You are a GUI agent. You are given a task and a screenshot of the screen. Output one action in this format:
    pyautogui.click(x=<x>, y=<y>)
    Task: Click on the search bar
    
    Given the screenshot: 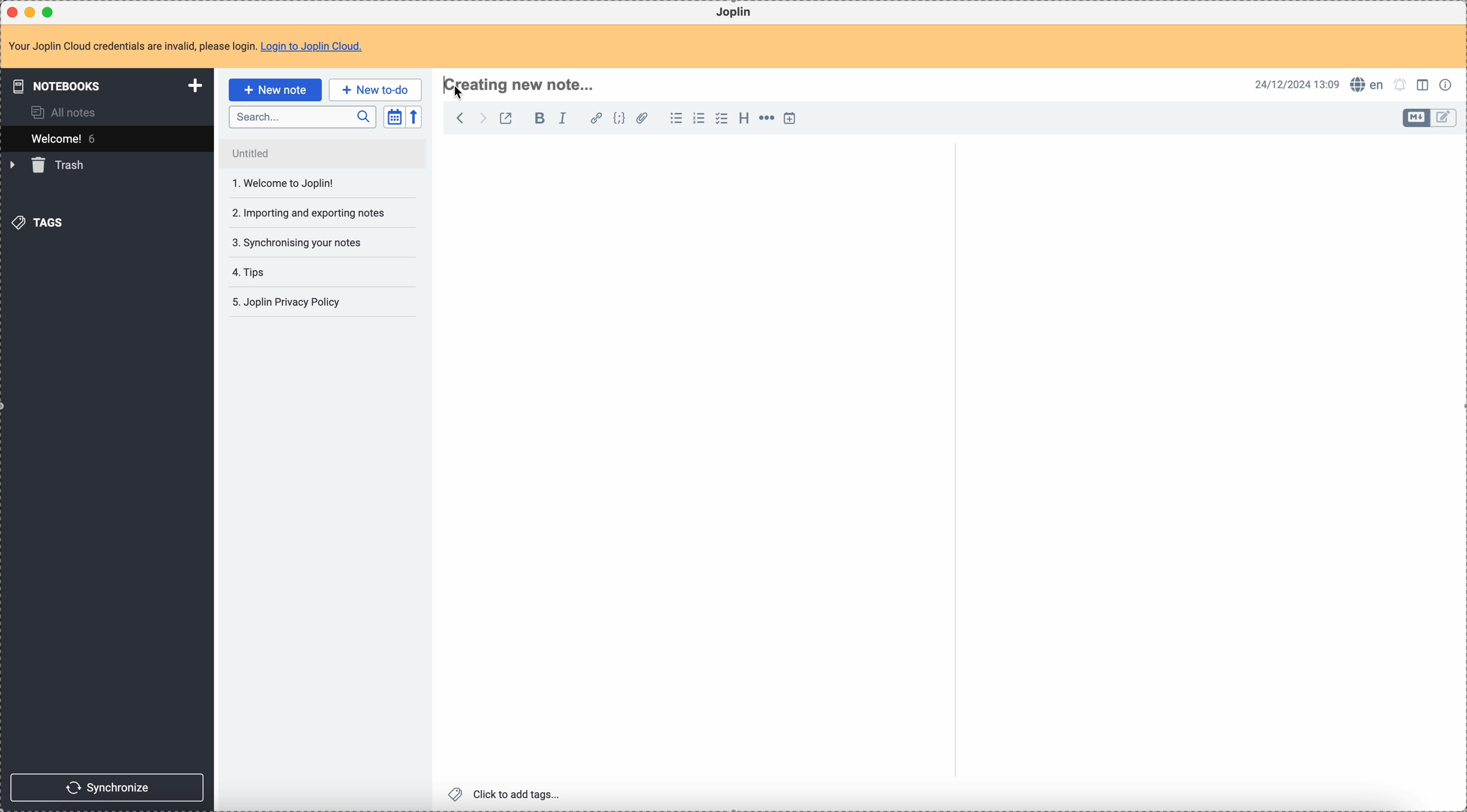 What is the action you would take?
    pyautogui.click(x=302, y=117)
    